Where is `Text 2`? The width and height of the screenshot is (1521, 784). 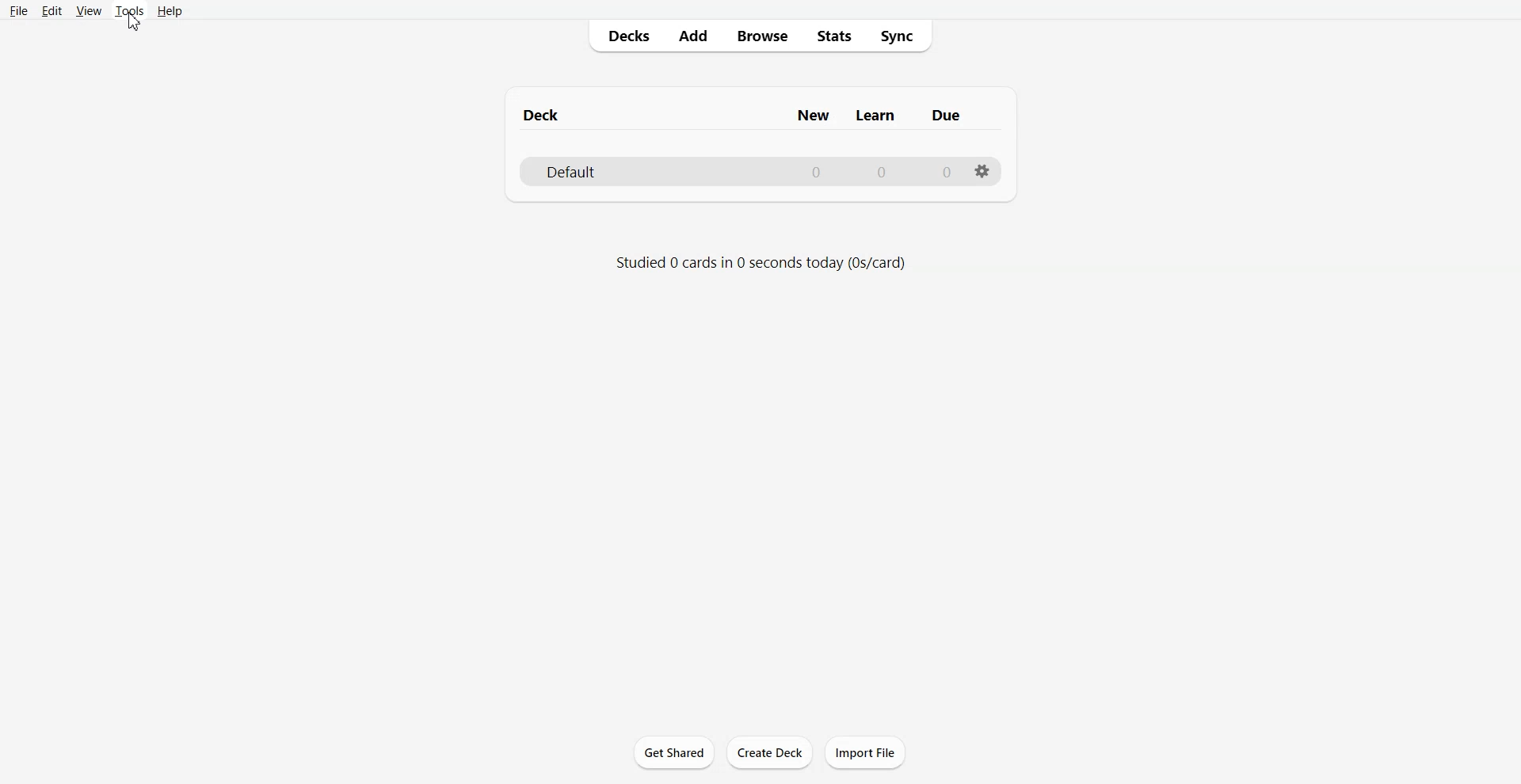 Text 2 is located at coordinates (760, 262).